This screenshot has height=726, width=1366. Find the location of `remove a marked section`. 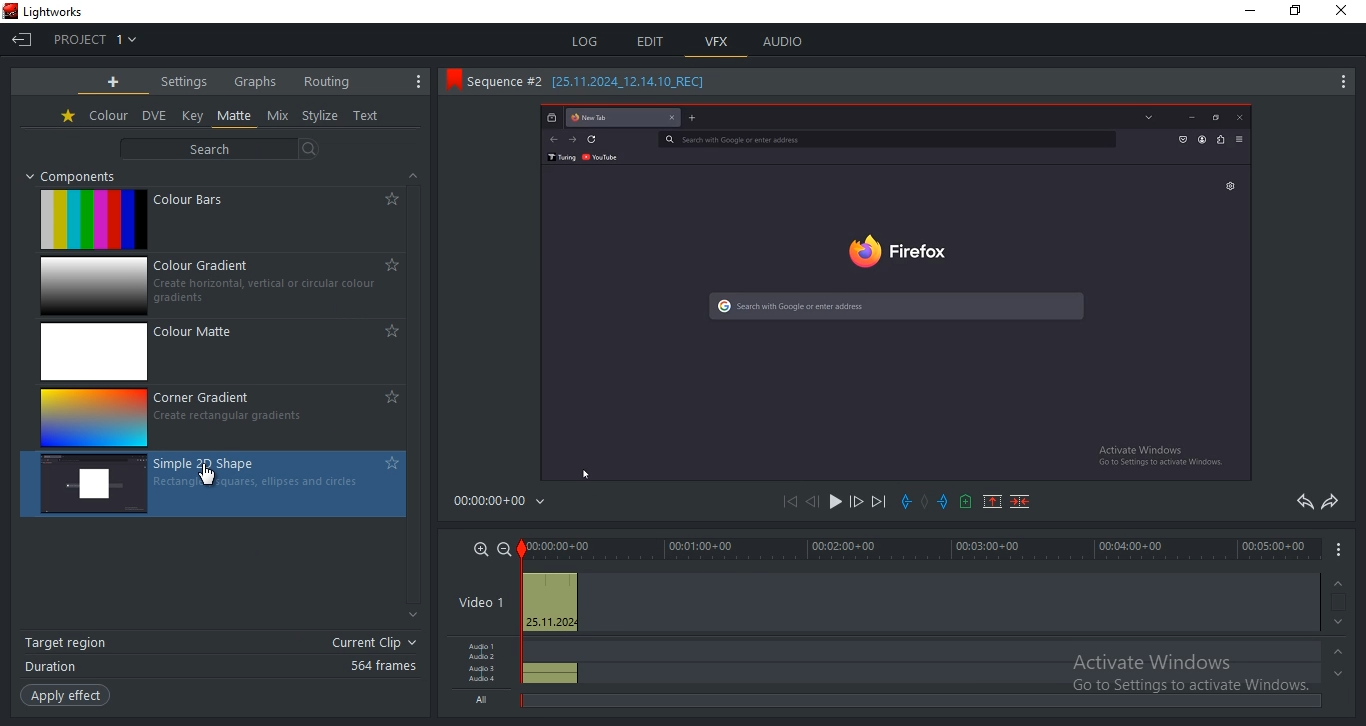

remove a marked section is located at coordinates (990, 500).